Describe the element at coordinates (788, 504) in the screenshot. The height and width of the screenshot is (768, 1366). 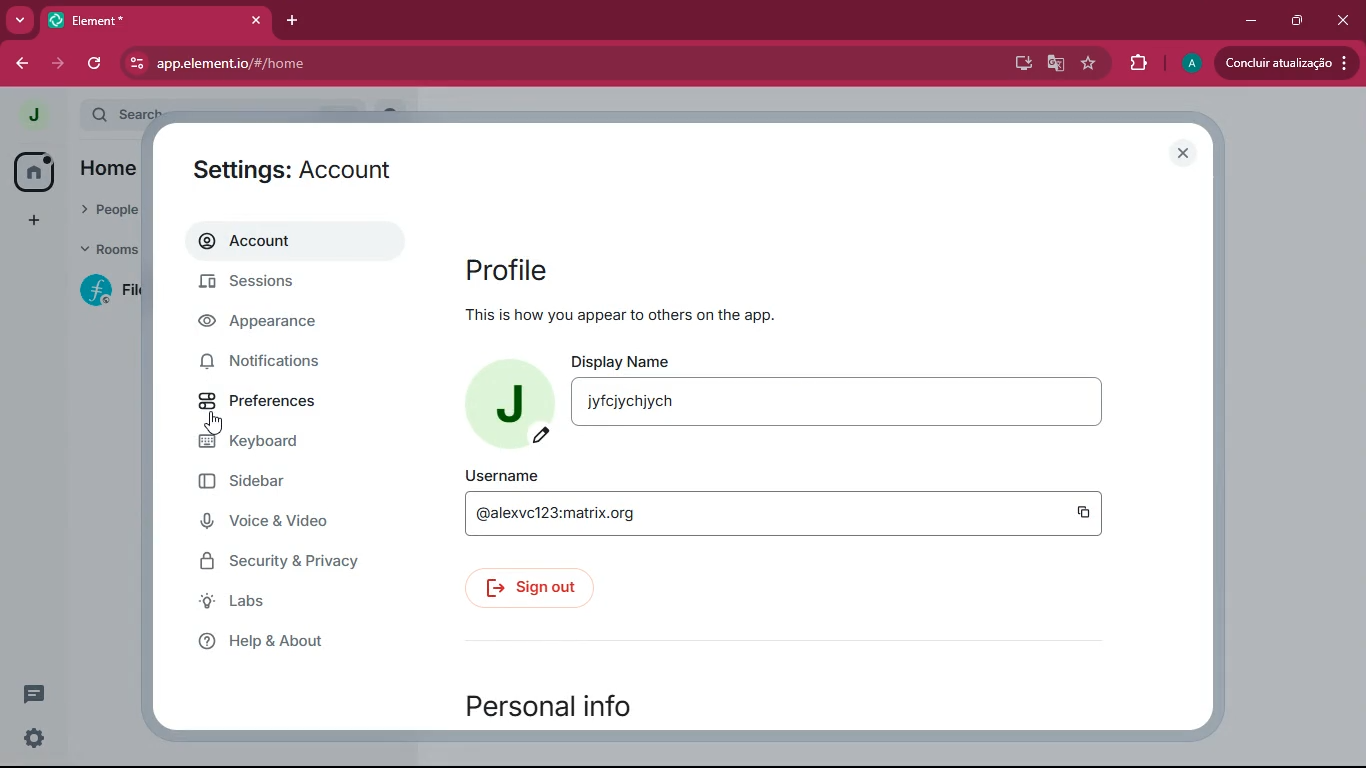
I see `username @alexvc123:matrix.org` at that location.